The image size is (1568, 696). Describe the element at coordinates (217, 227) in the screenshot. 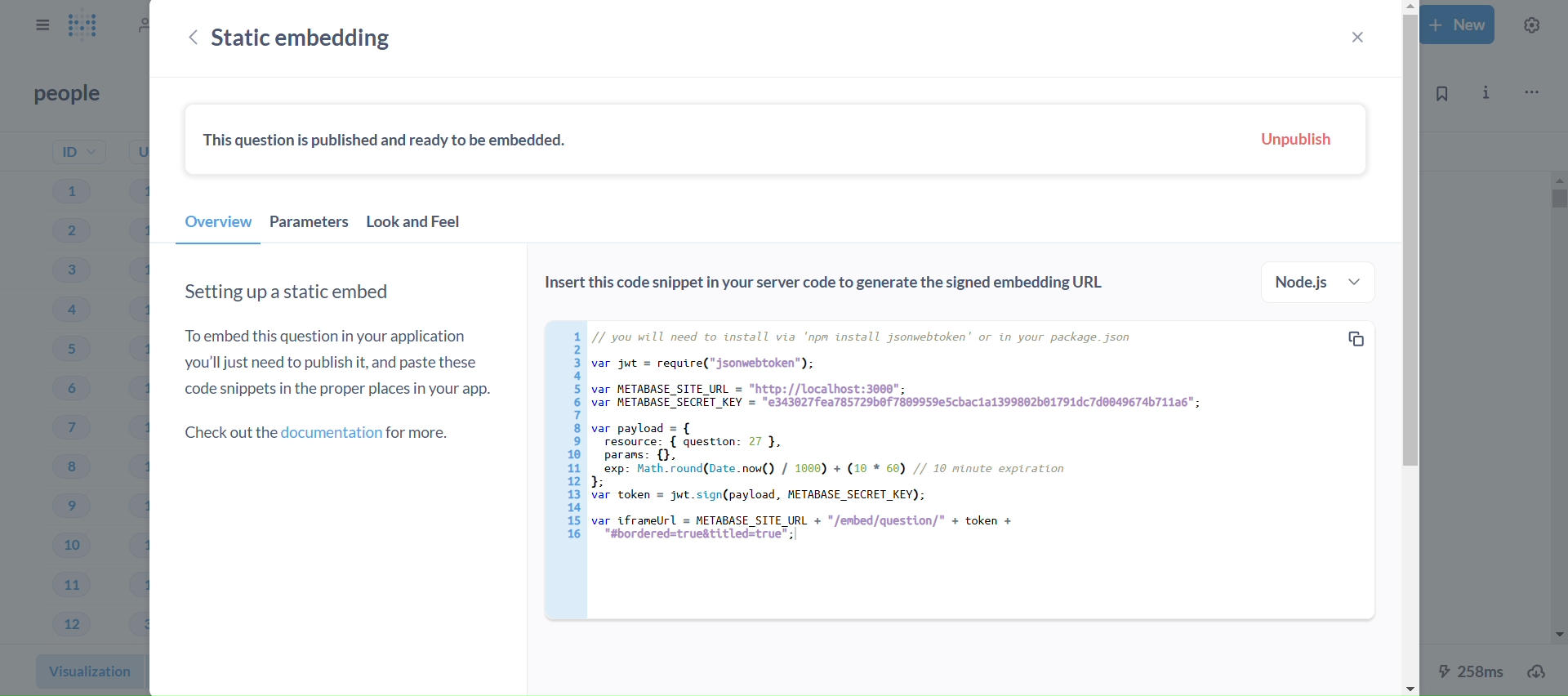

I see `overview` at that location.